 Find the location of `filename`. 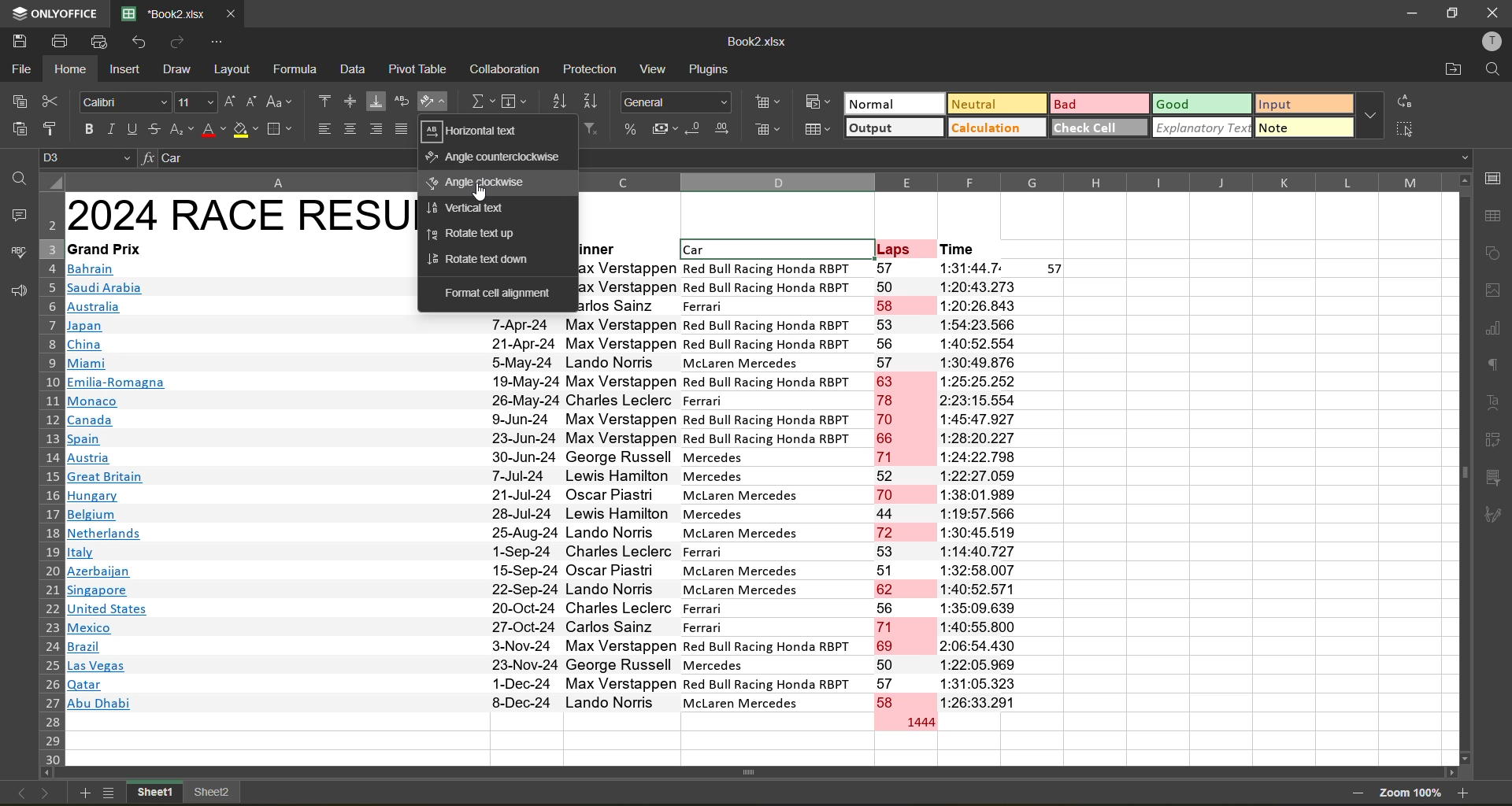

filename is located at coordinates (169, 13).